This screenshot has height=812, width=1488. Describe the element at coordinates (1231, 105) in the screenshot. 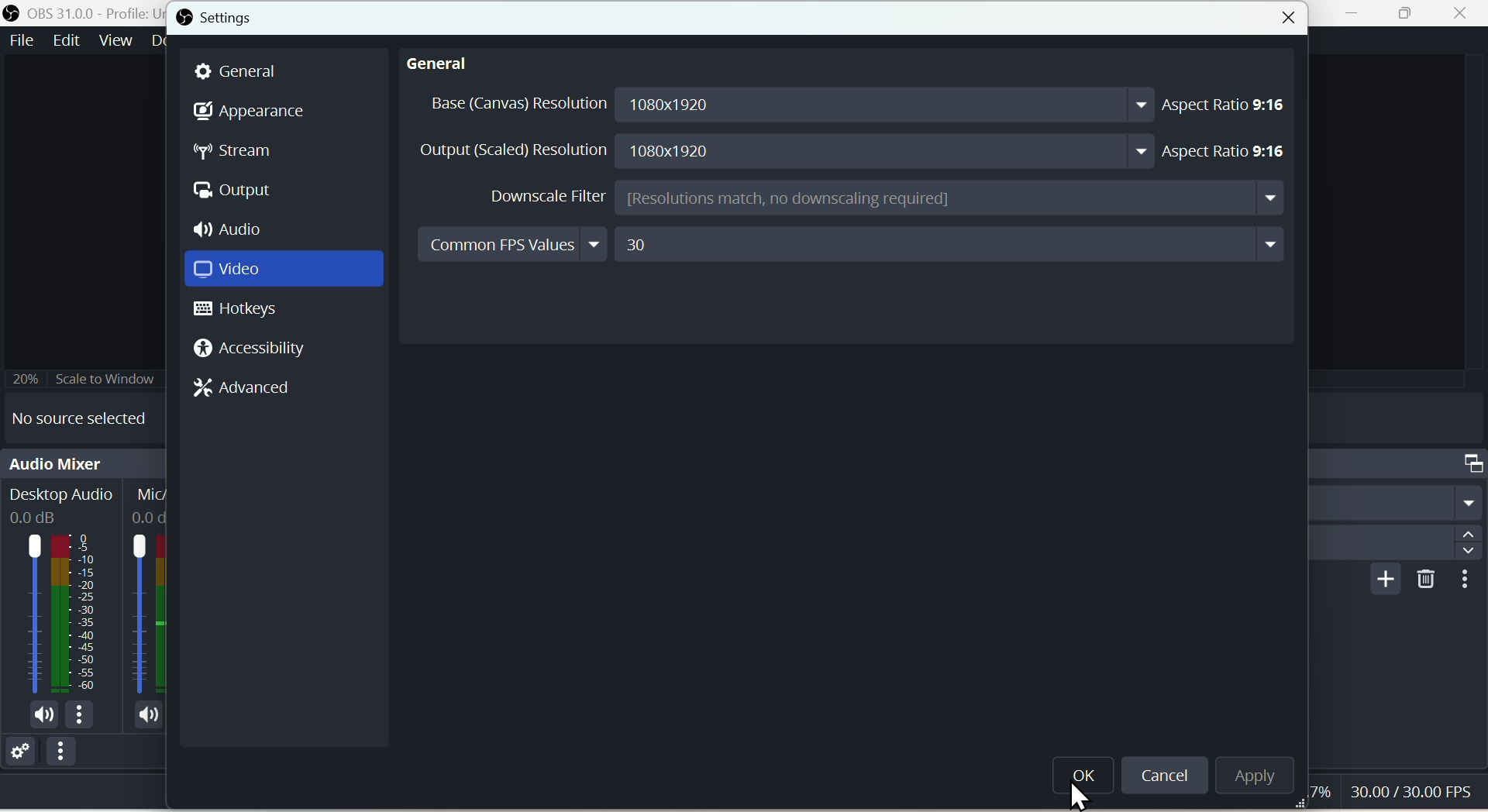

I see `Aspect ratio 9:16` at that location.